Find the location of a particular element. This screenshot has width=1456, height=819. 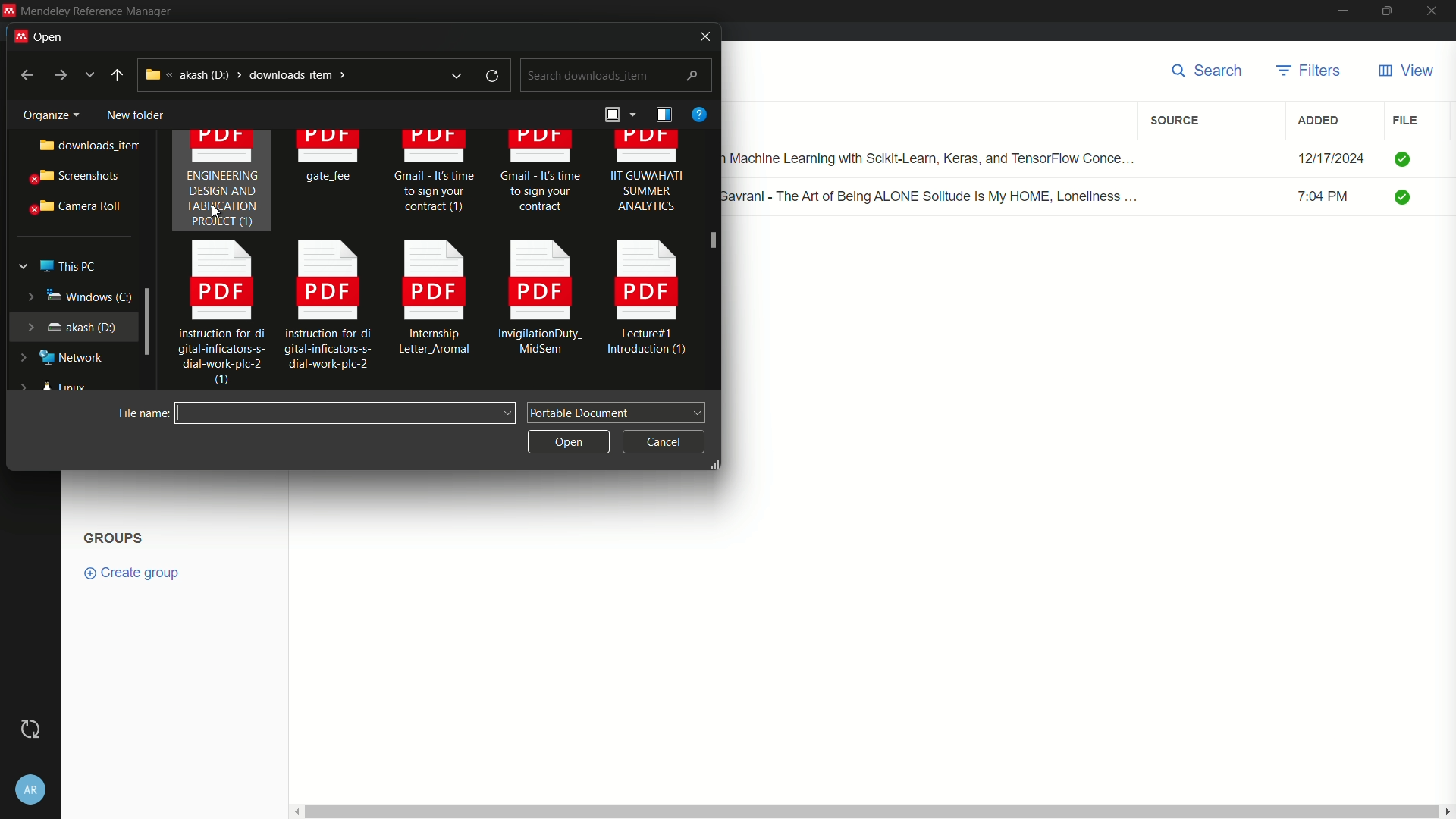

gate fee is located at coordinates (331, 159).